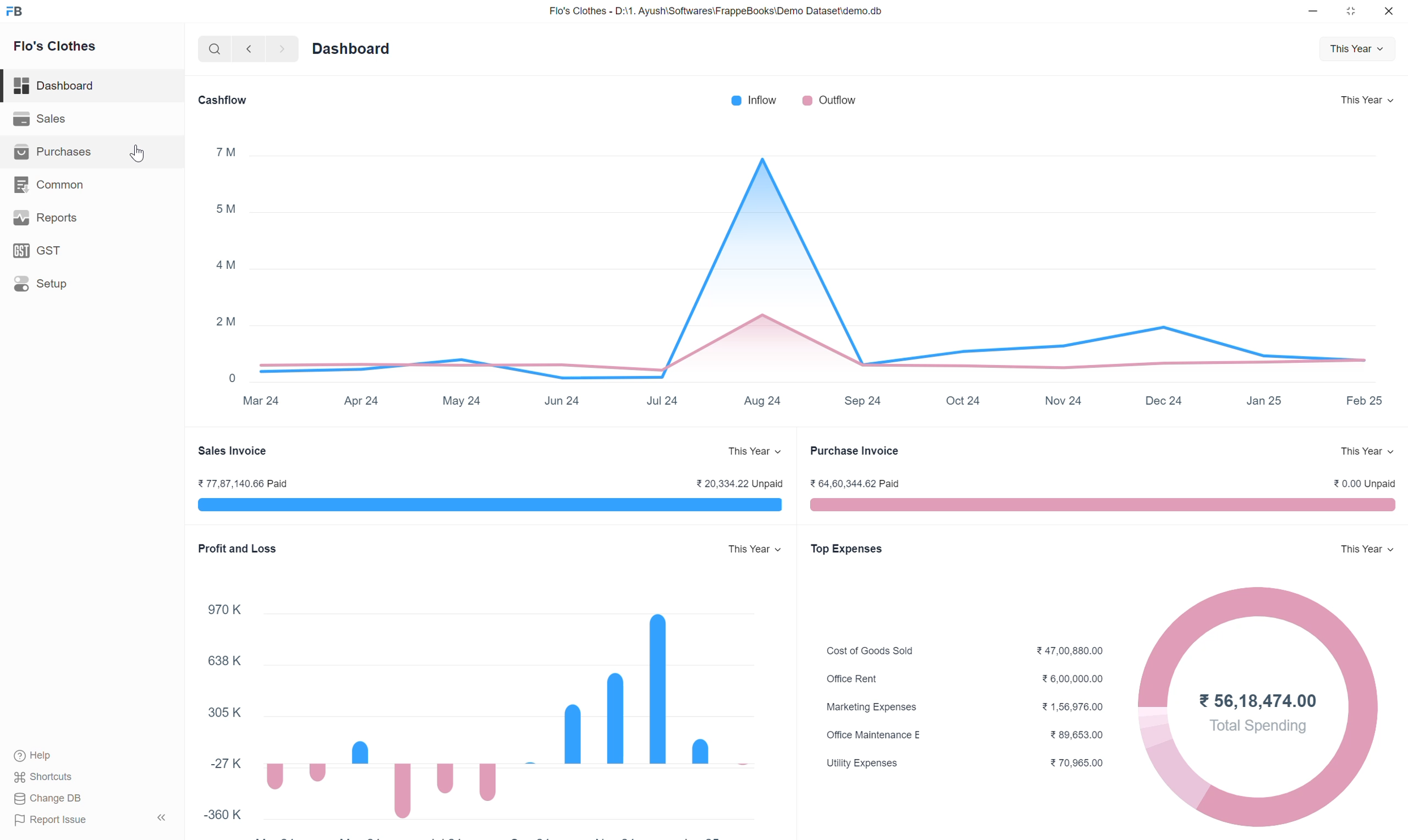  I want to click on 89,653.00, so click(1079, 735).